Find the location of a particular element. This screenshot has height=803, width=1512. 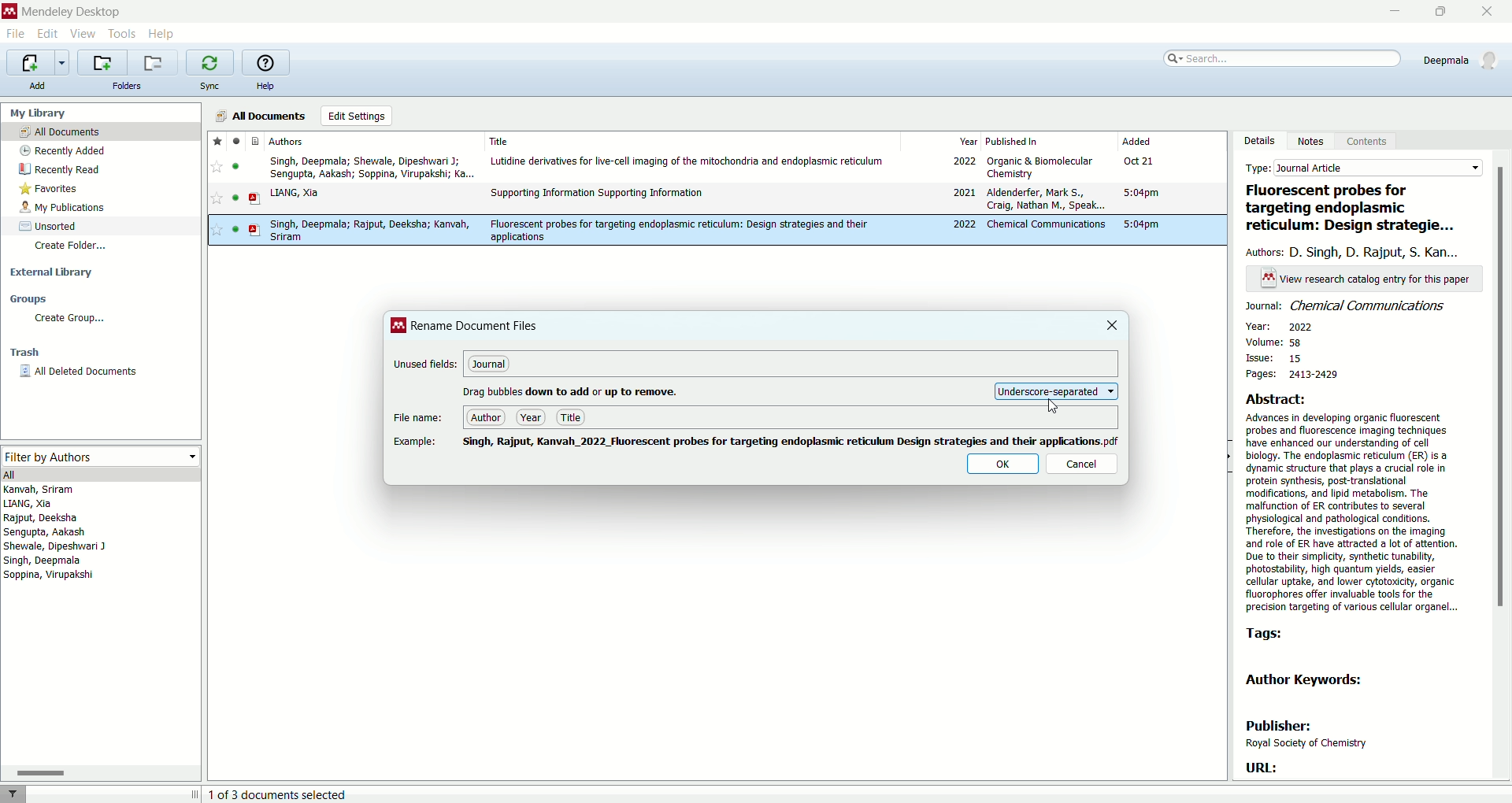

account is located at coordinates (1458, 59).